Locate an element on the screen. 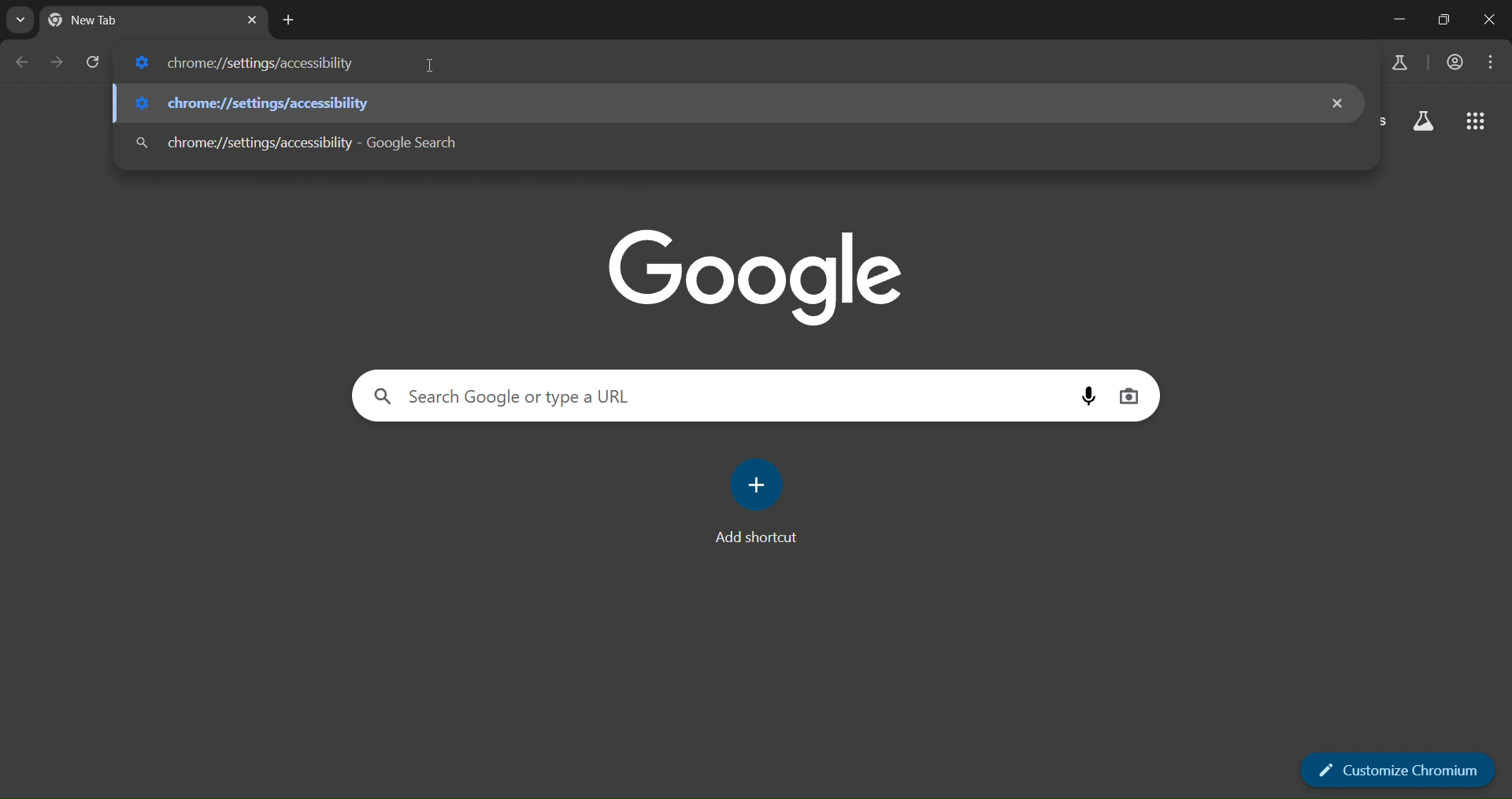 Image resolution: width=1512 pixels, height=799 pixels. minimize is located at coordinates (1395, 20).